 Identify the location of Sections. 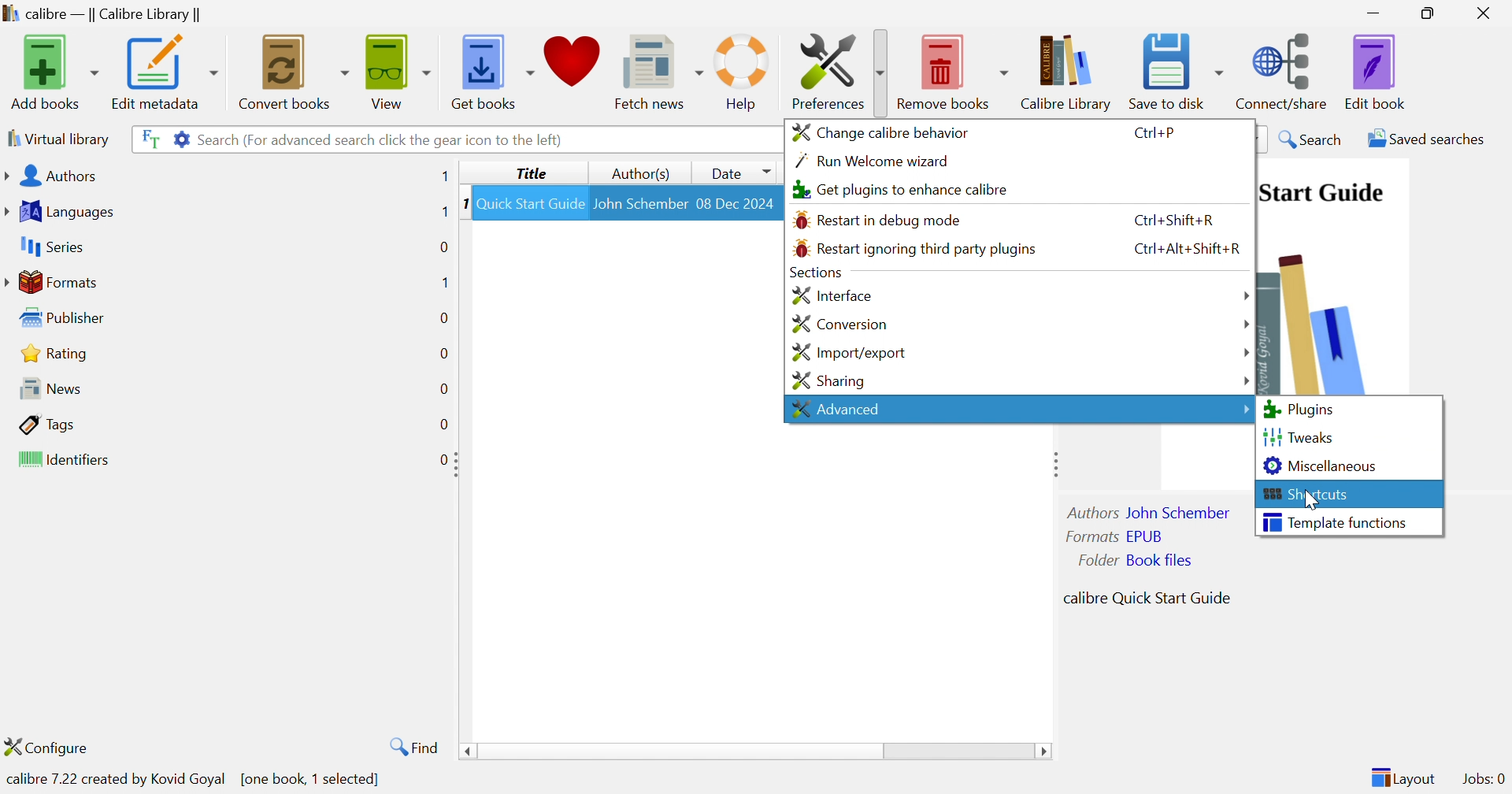
(813, 273).